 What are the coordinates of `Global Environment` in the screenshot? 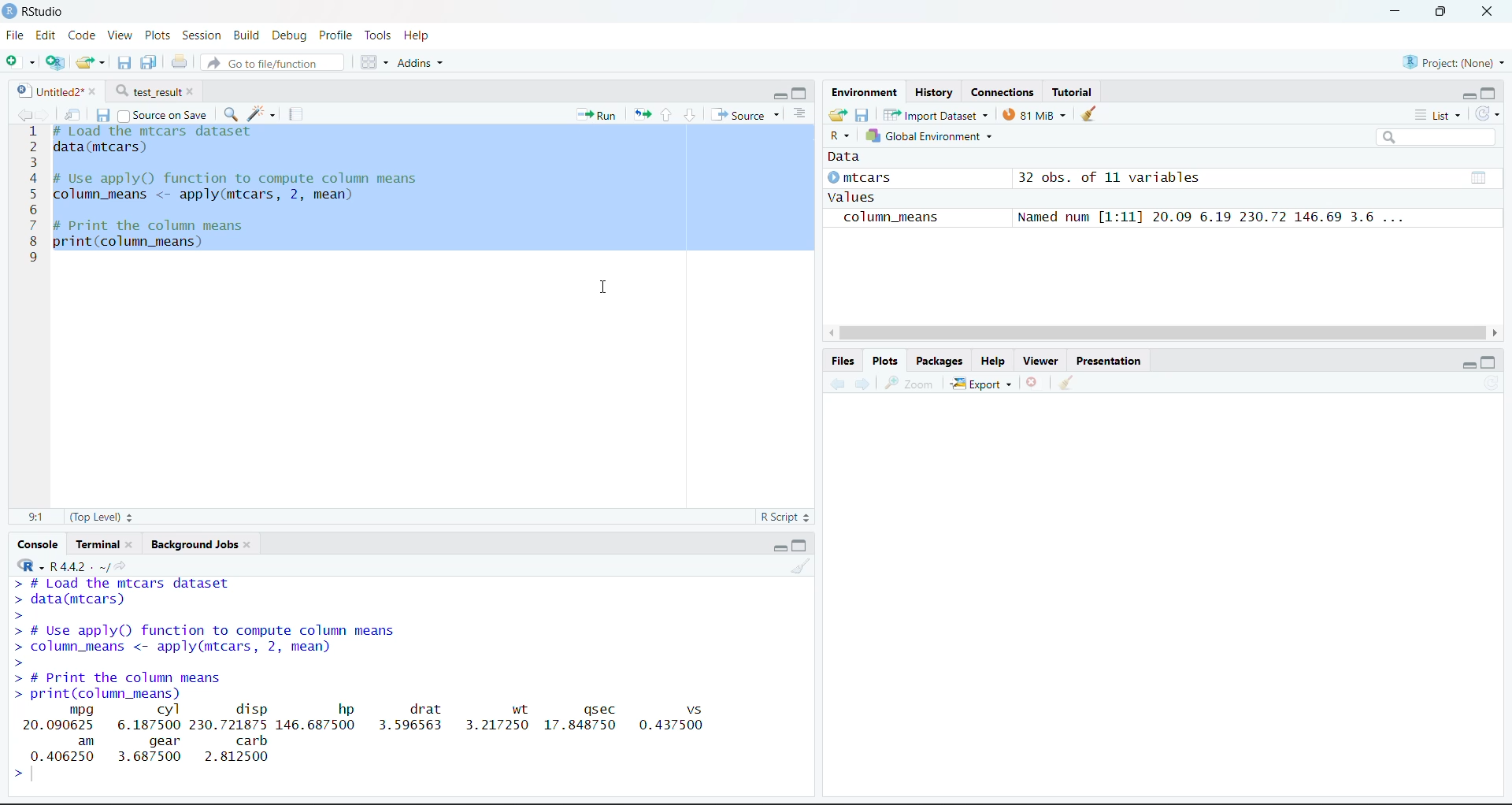 It's located at (929, 136).